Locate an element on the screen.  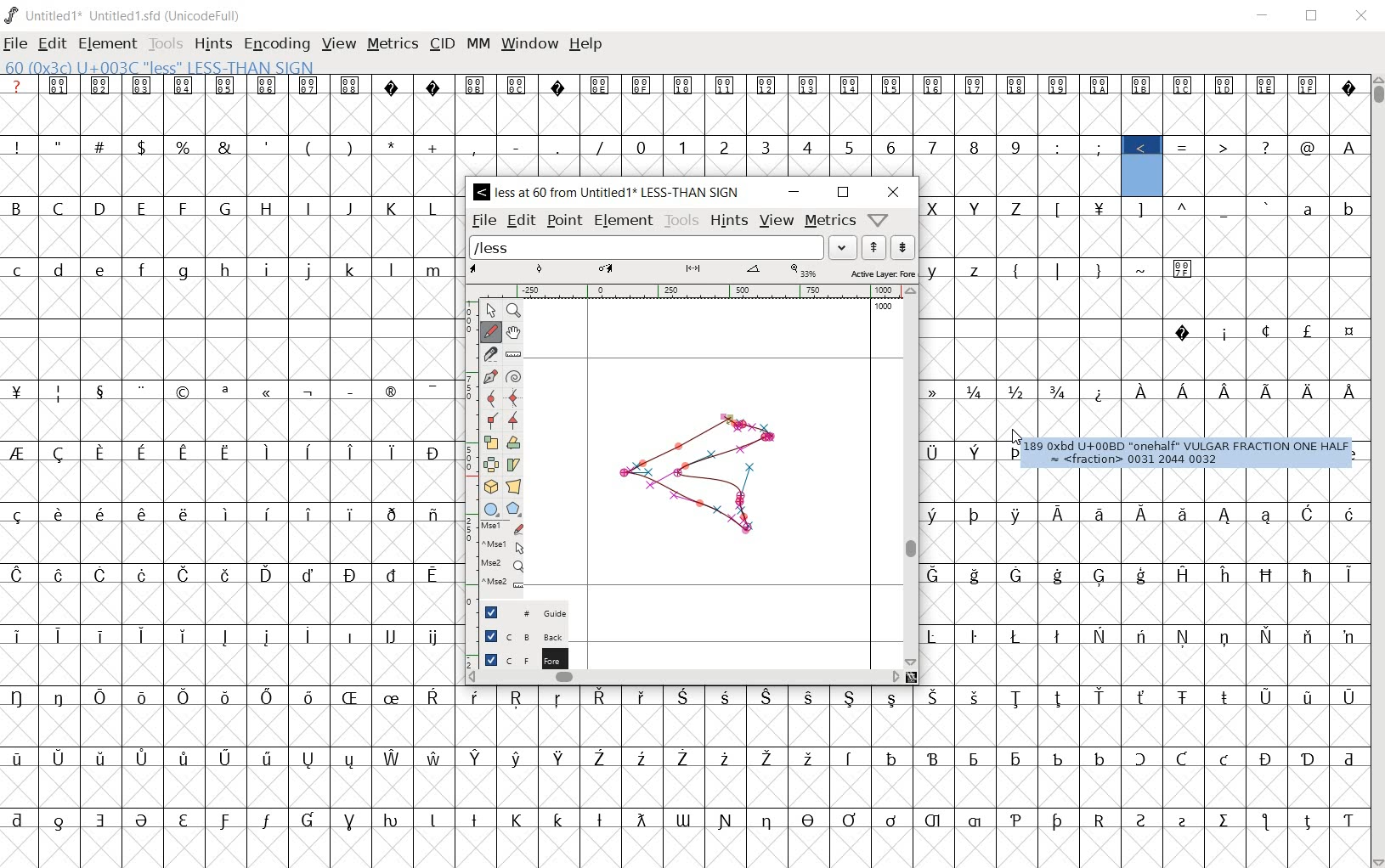
metrics is located at coordinates (393, 45).